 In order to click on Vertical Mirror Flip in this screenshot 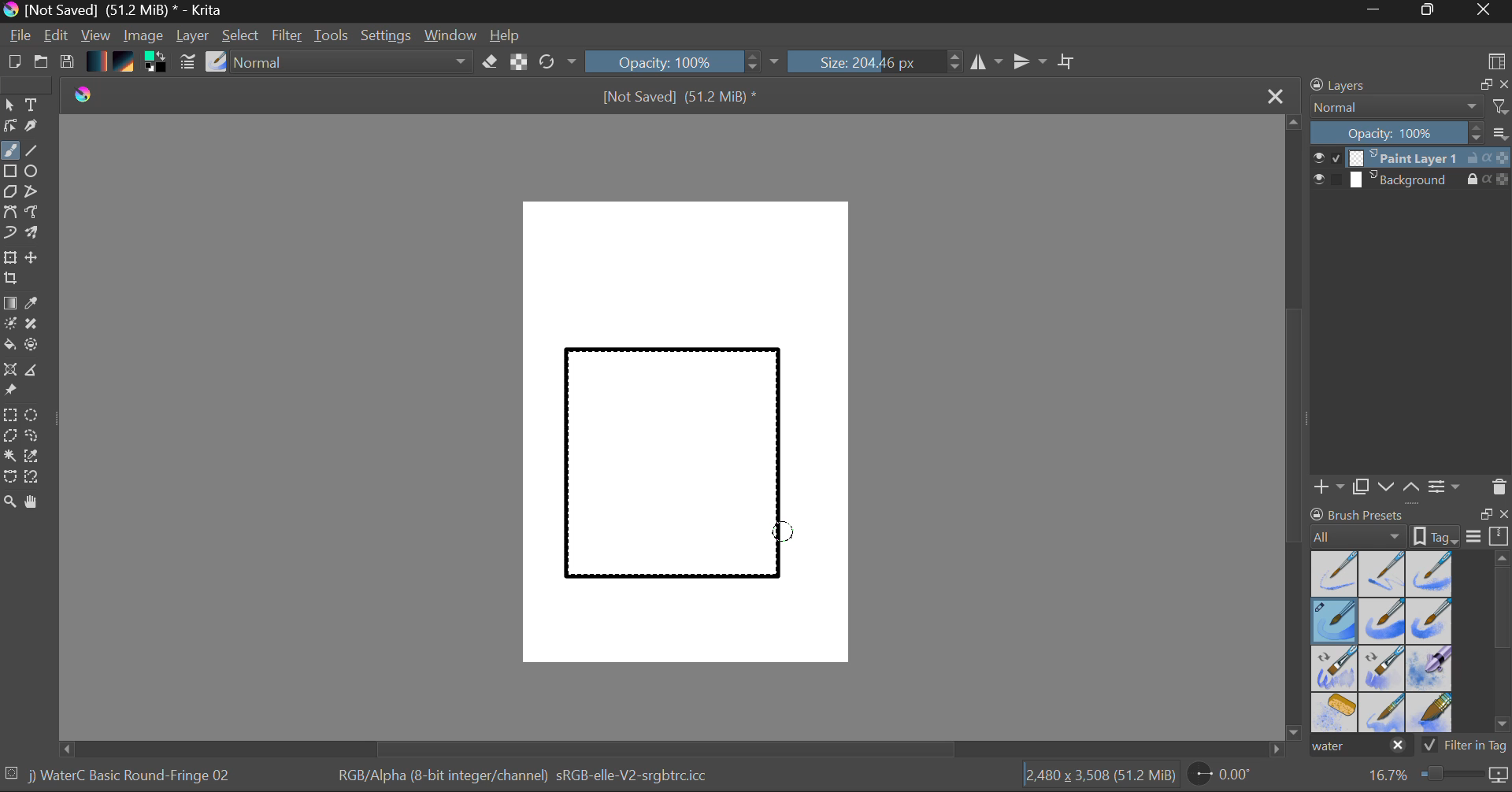, I will do `click(986, 62)`.